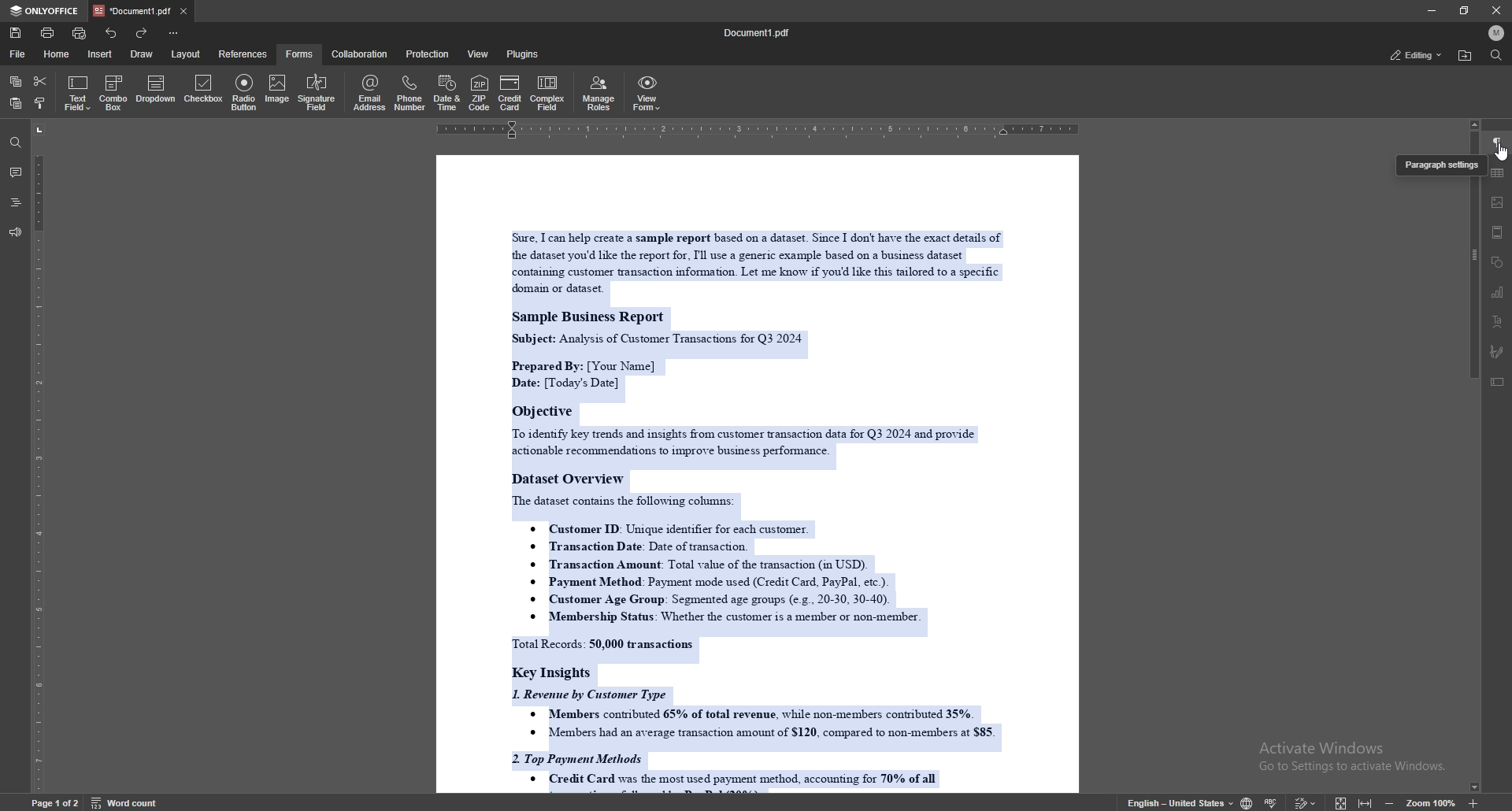 Image resolution: width=1512 pixels, height=811 pixels. What do you see at coordinates (133, 10) in the screenshot?
I see `tab` at bounding box center [133, 10].